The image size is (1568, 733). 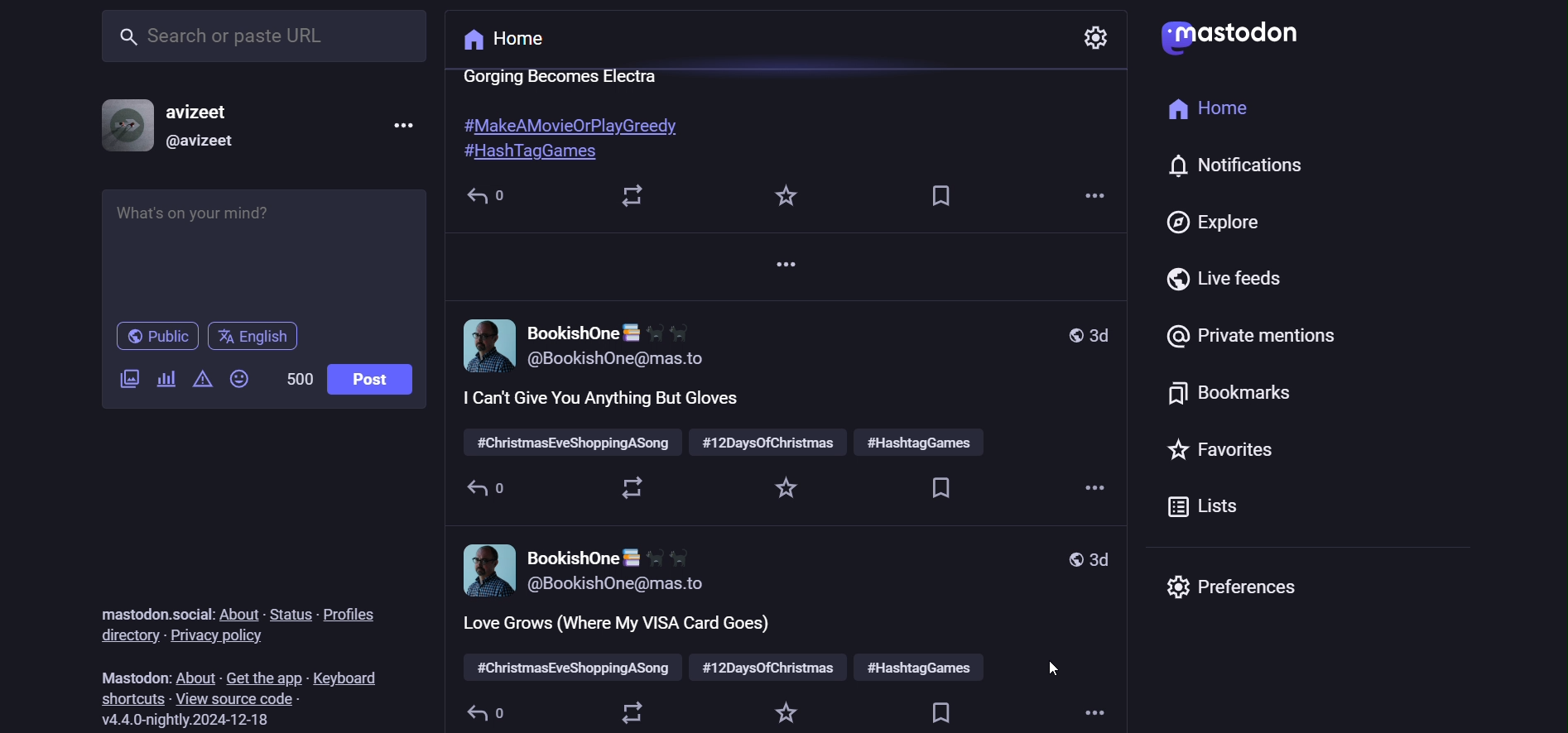 I want to click on post, so click(x=372, y=379).